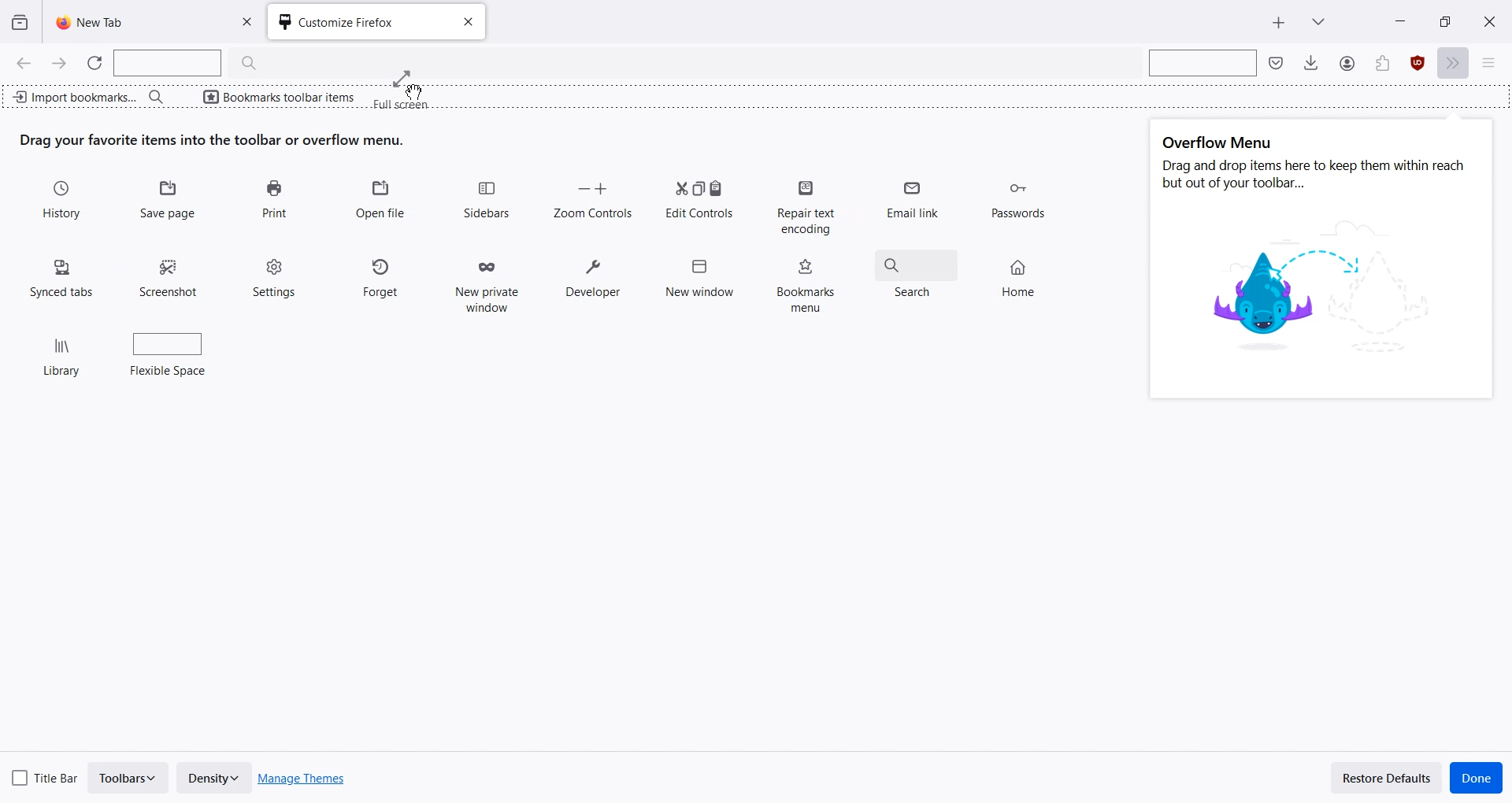 The width and height of the screenshot is (1512, 803). What do you see at coordinates (1318, 20) in the screenshot?
I see `List all tab` at bounding box center [1318, 20].